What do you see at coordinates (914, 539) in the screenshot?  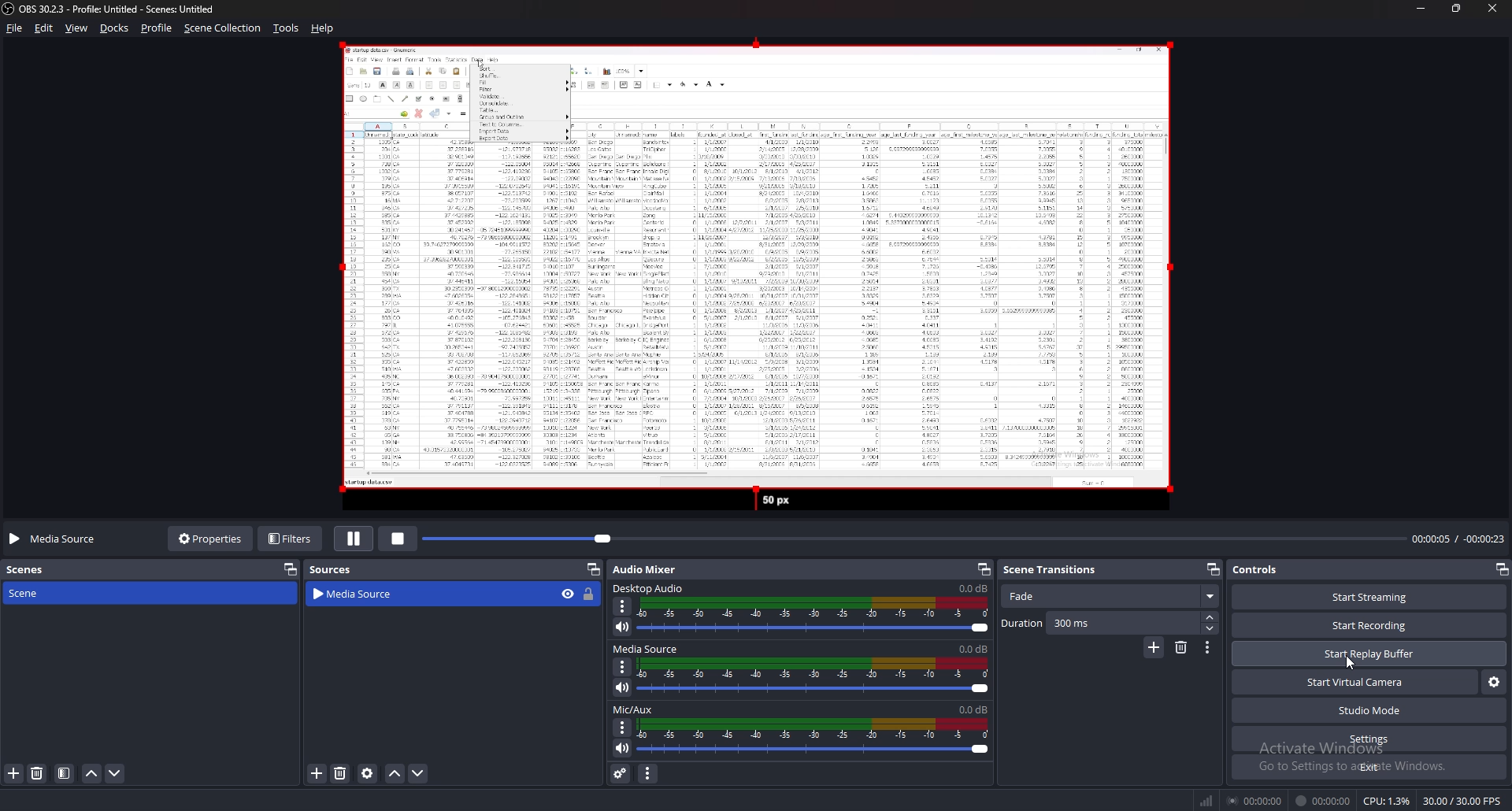 I see `seek` at bounding box center [914, 539].